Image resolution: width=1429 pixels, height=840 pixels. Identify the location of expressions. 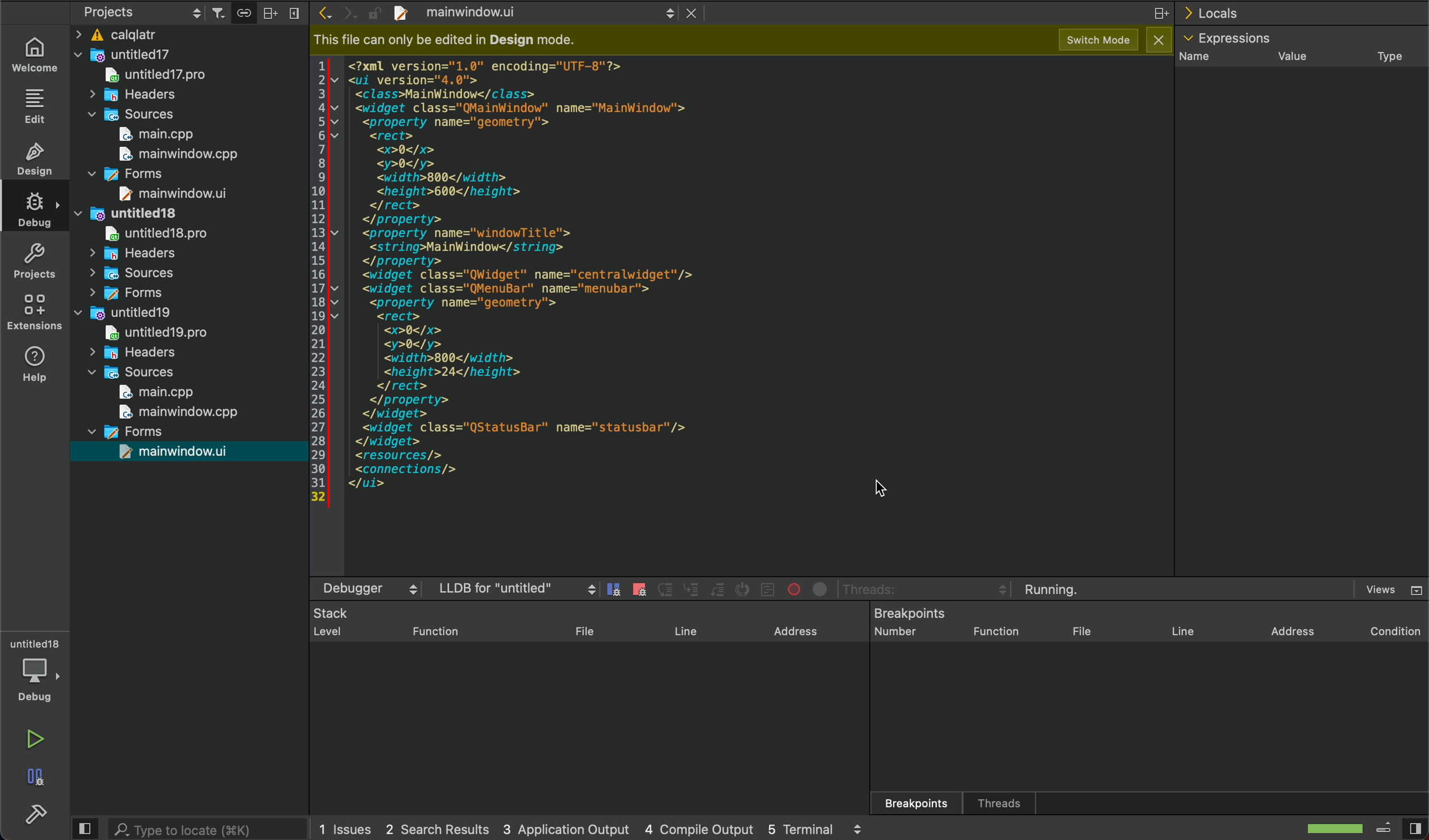
(1230, 38).